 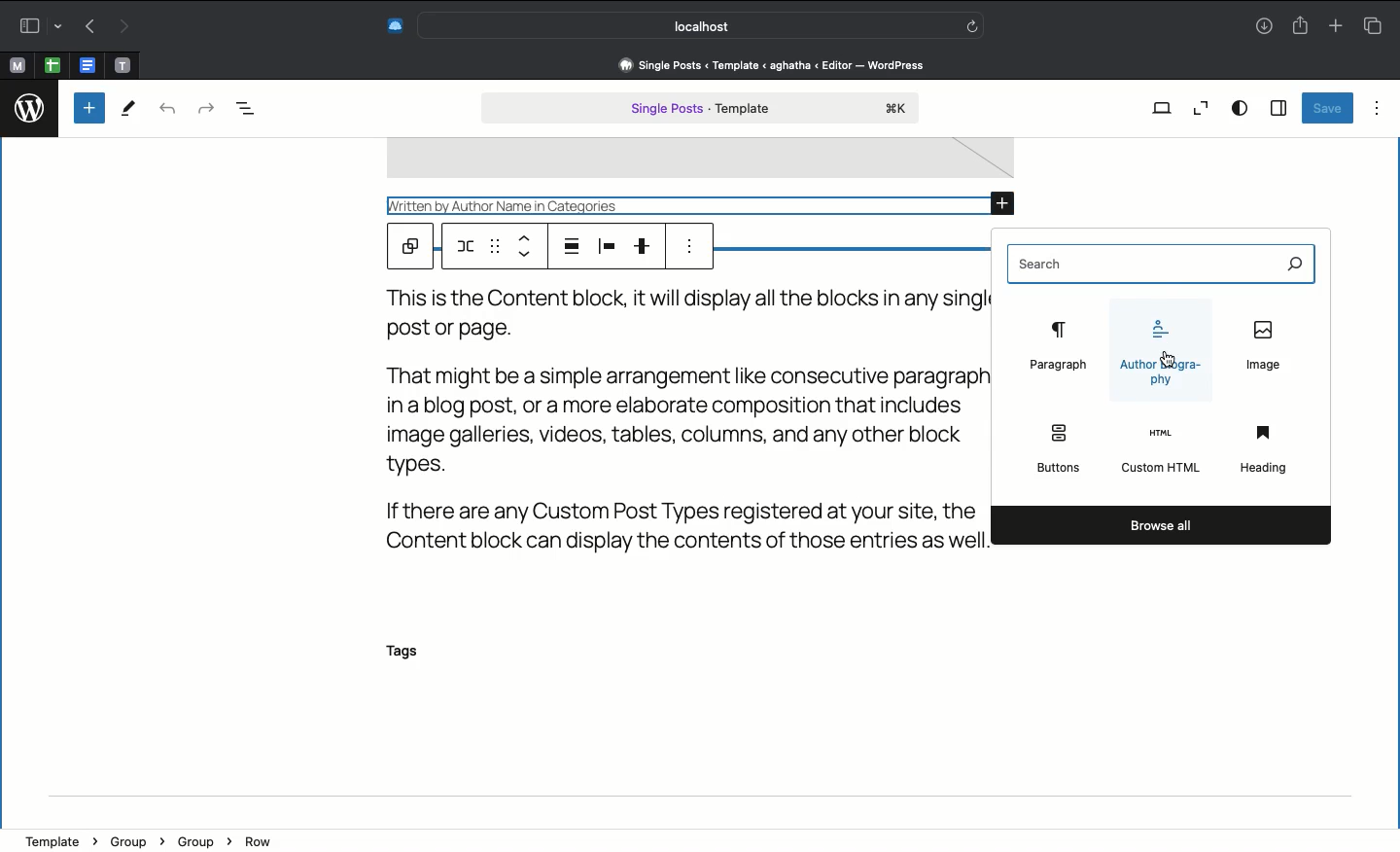 I want to click on New tab, so click(x=1336, y=27).